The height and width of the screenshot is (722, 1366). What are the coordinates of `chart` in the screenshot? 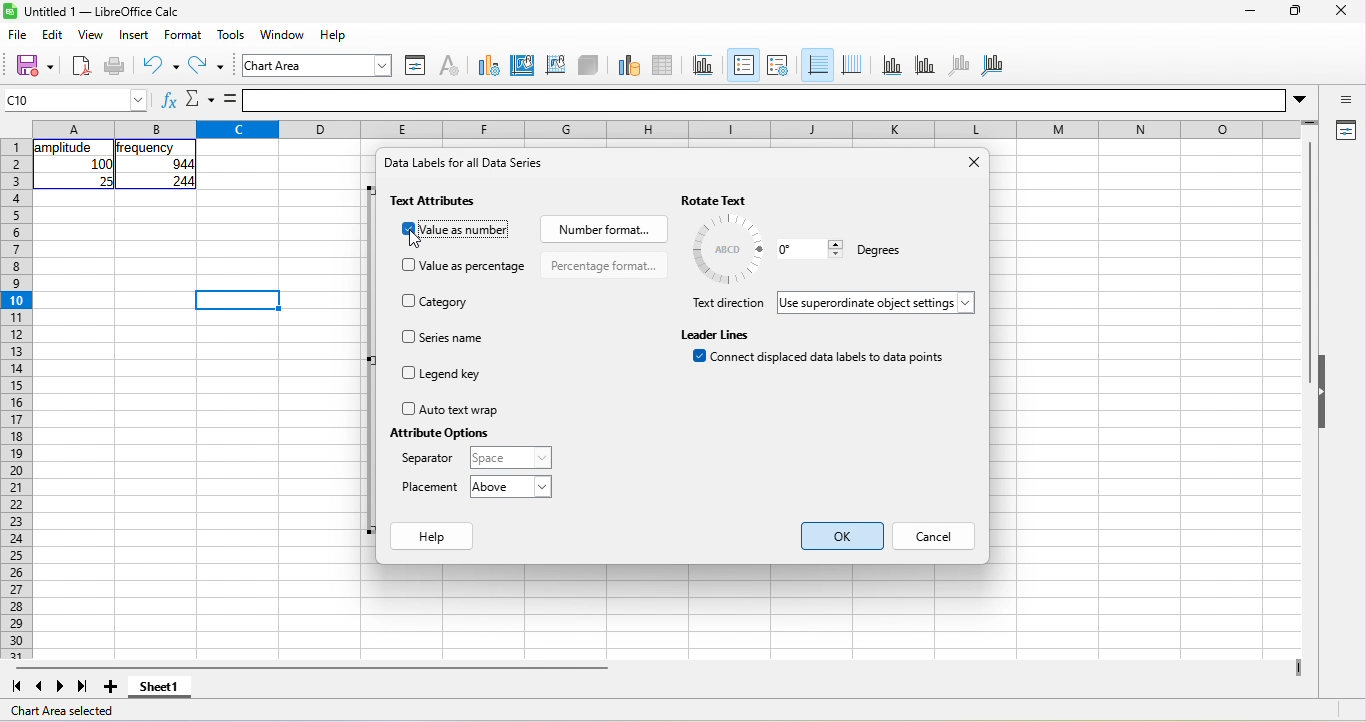 It's located at (319, 65).